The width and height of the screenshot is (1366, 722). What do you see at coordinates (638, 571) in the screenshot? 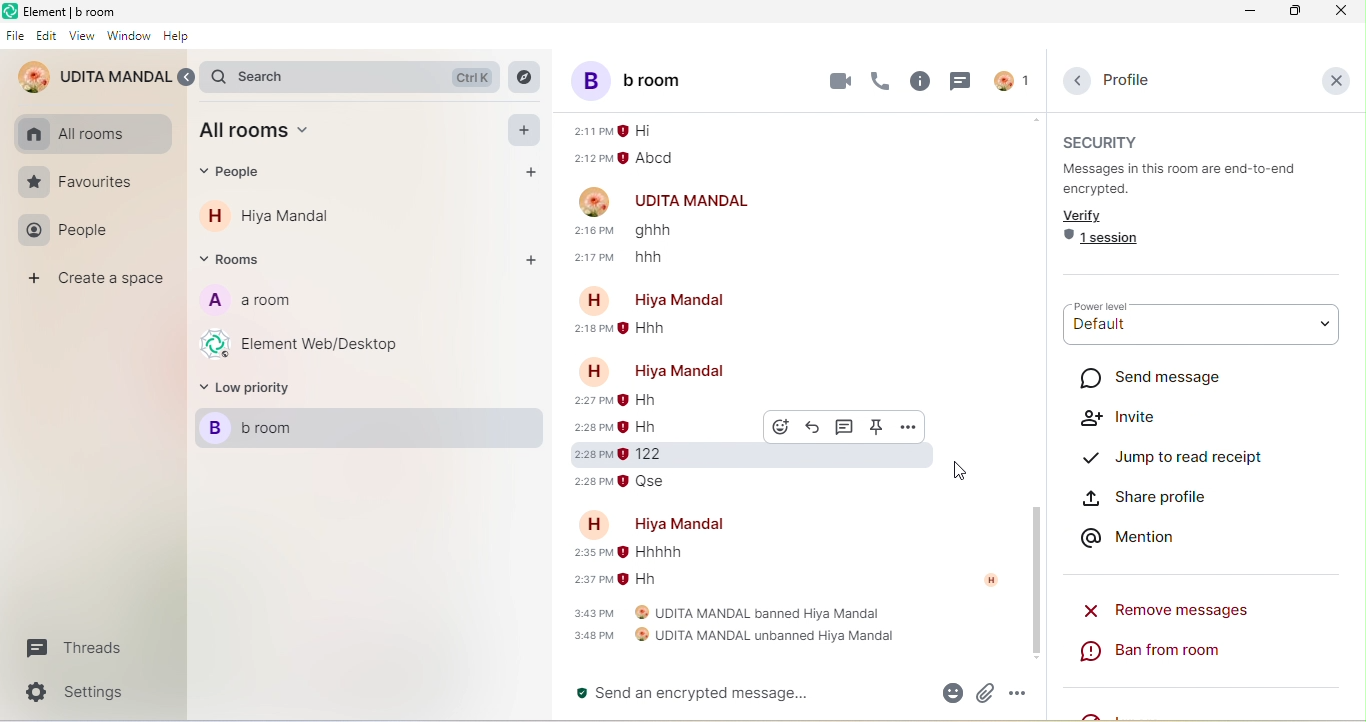
I see `older message of hiya mandal` at bounding box center [638, 571].